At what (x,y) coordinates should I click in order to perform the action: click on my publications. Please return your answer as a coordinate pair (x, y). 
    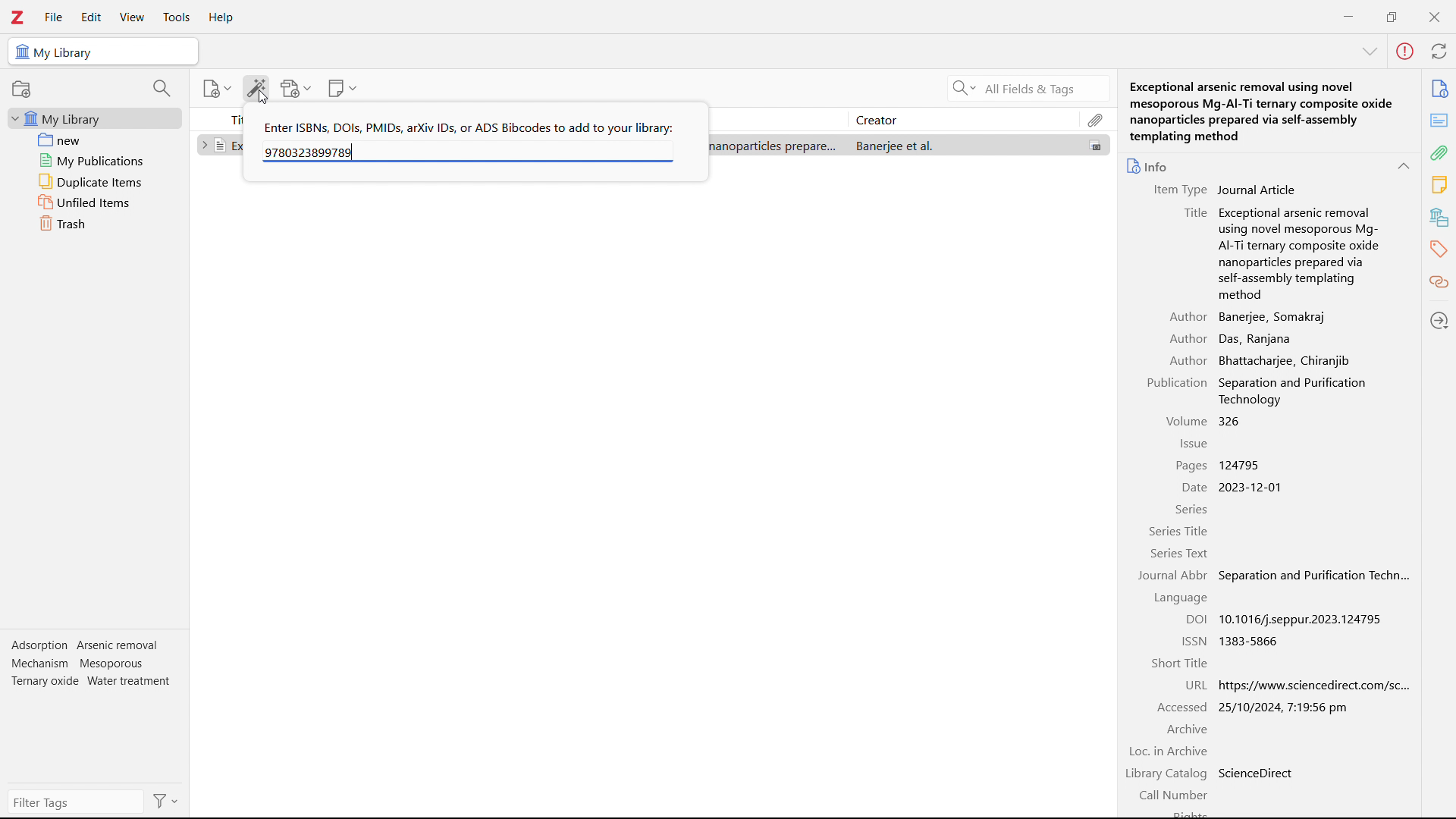
    Looking at the image, I should click on (96, 160).